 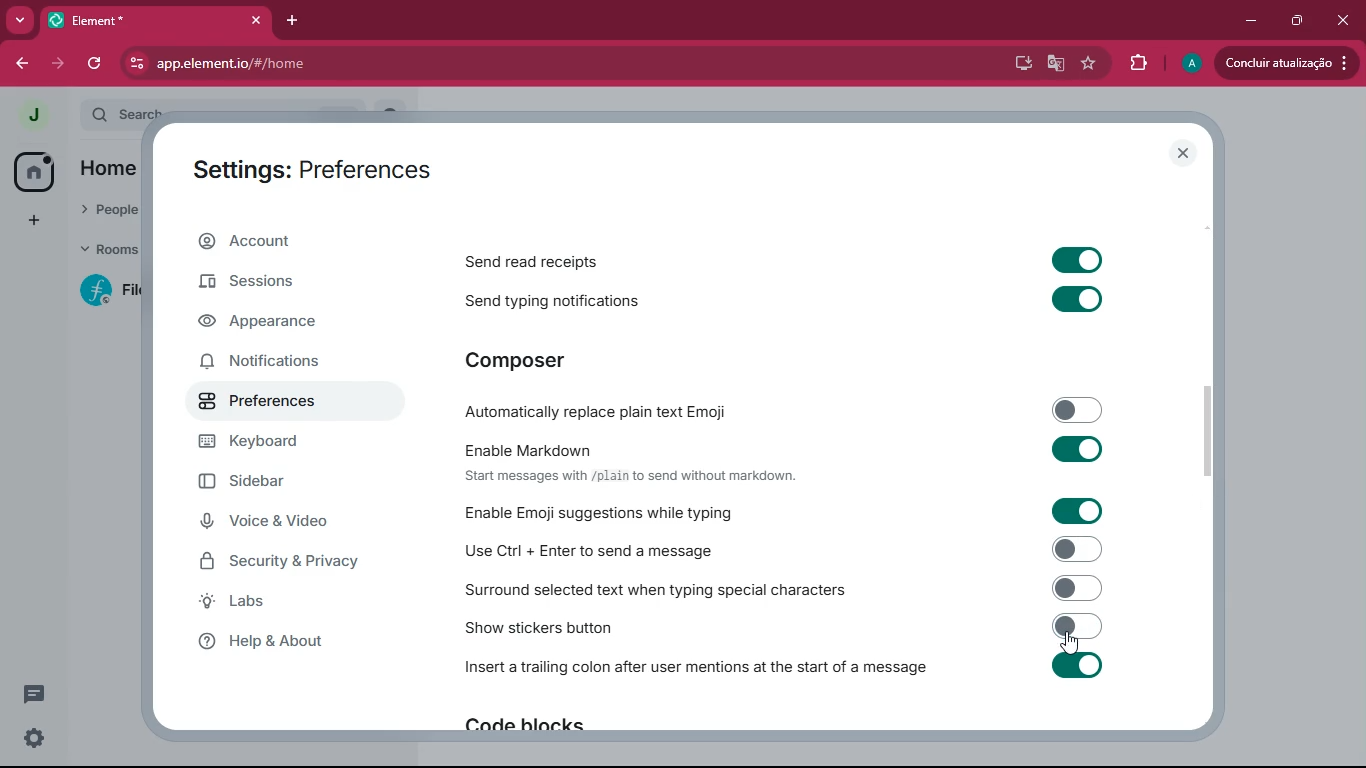 I want to click on rooms, so click(x=111, y=250).